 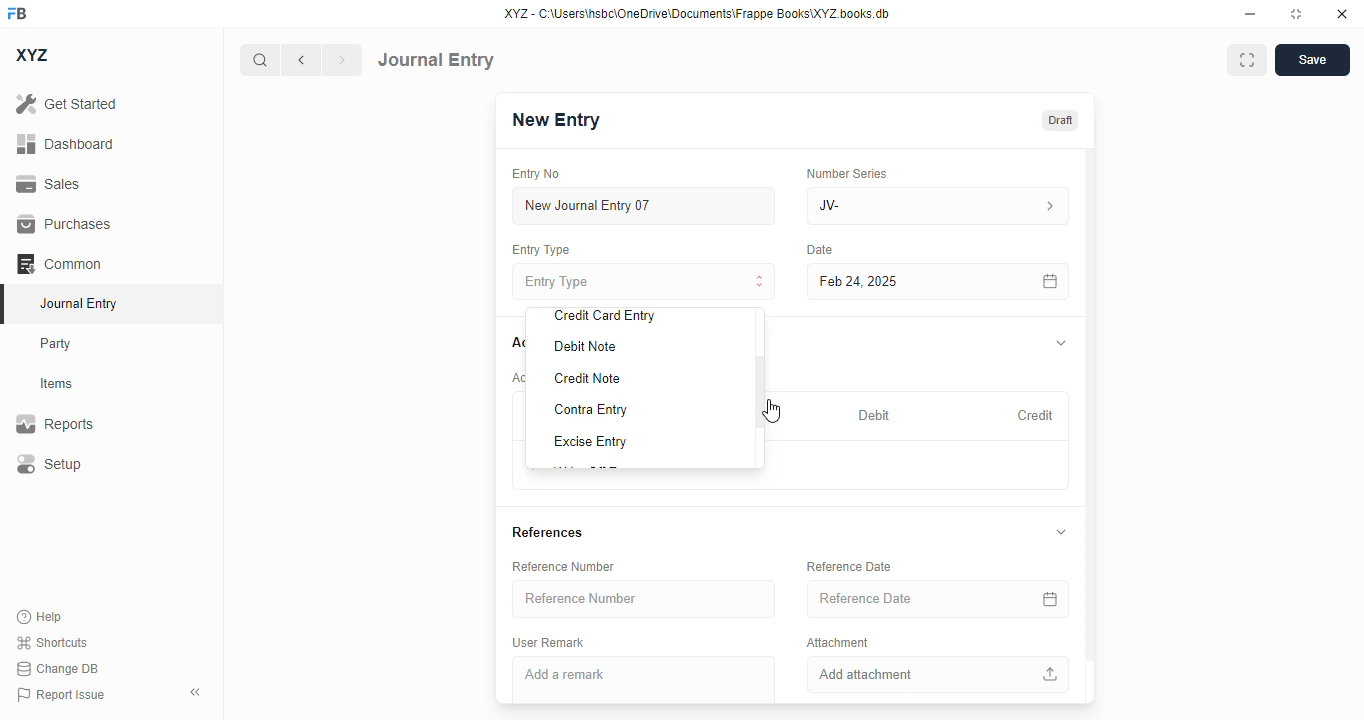 What do you see at coordinates (697, 14) in the screenshot?
I see `XYZ - C:\Users\hsbc\OneDrive\Documents\Frappe Books\XYZ books. db` at bounding box center [697, 14].